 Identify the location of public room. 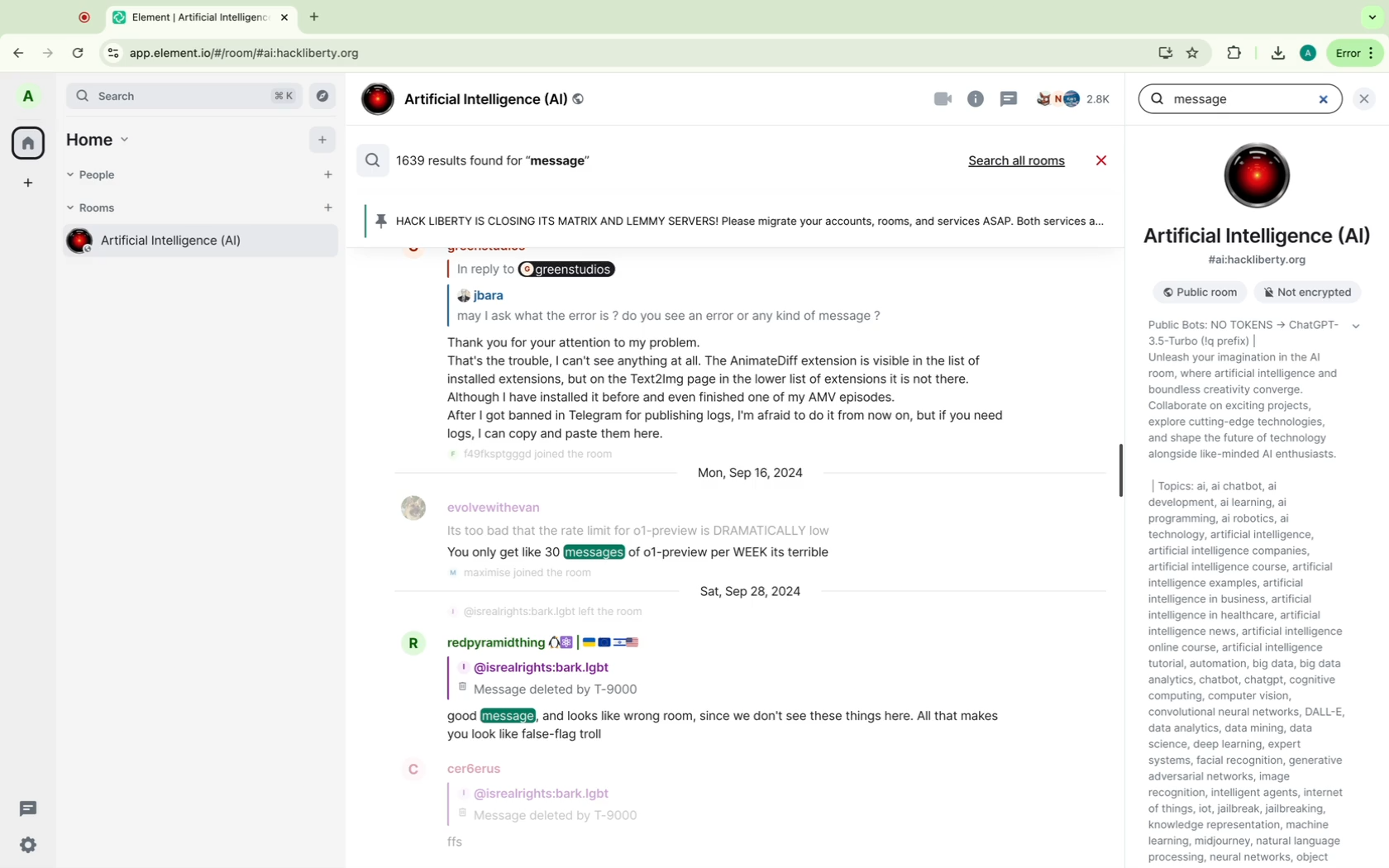
(1196, 293).